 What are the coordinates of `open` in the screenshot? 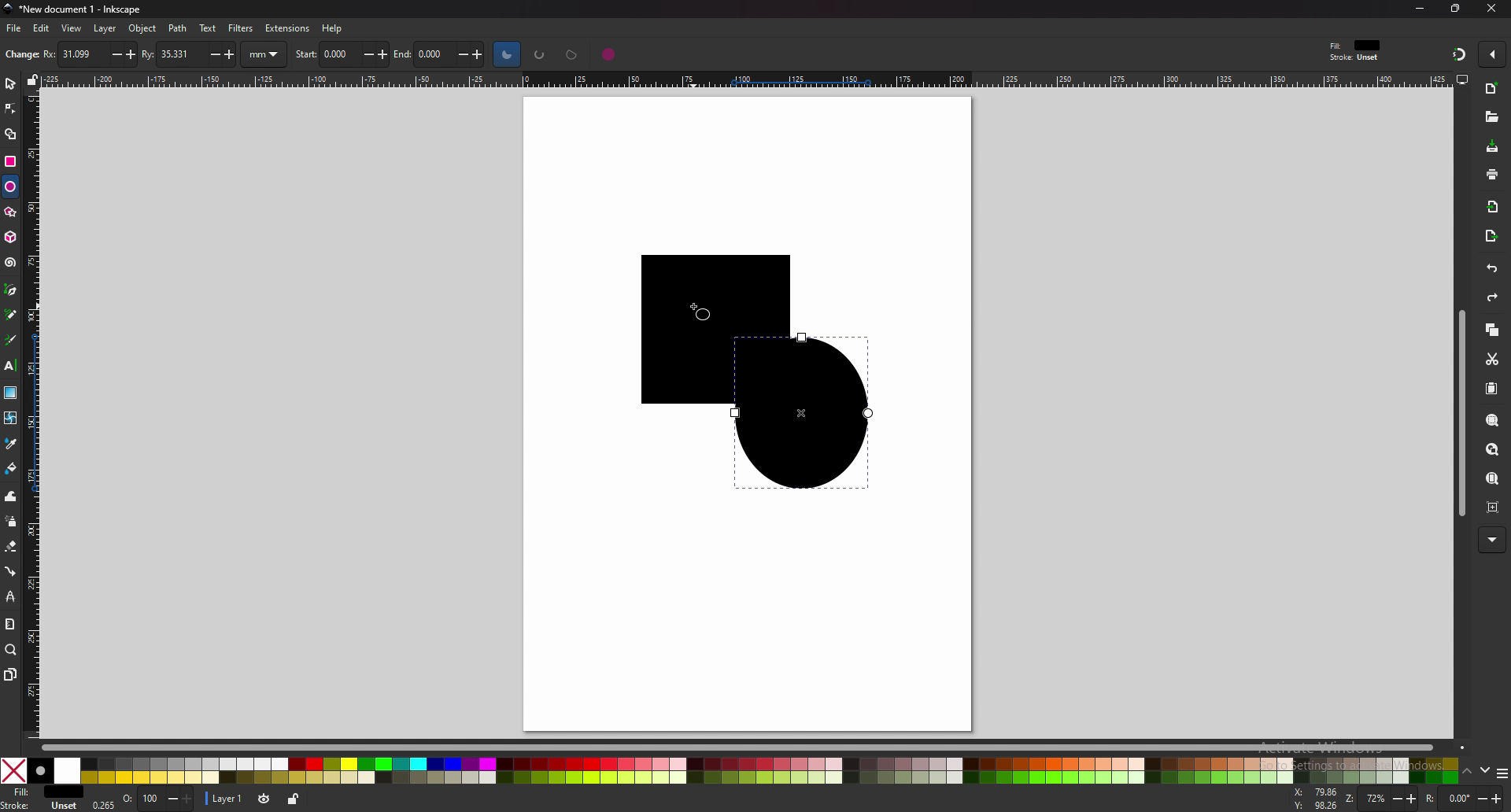 It's located at (1491, 116).